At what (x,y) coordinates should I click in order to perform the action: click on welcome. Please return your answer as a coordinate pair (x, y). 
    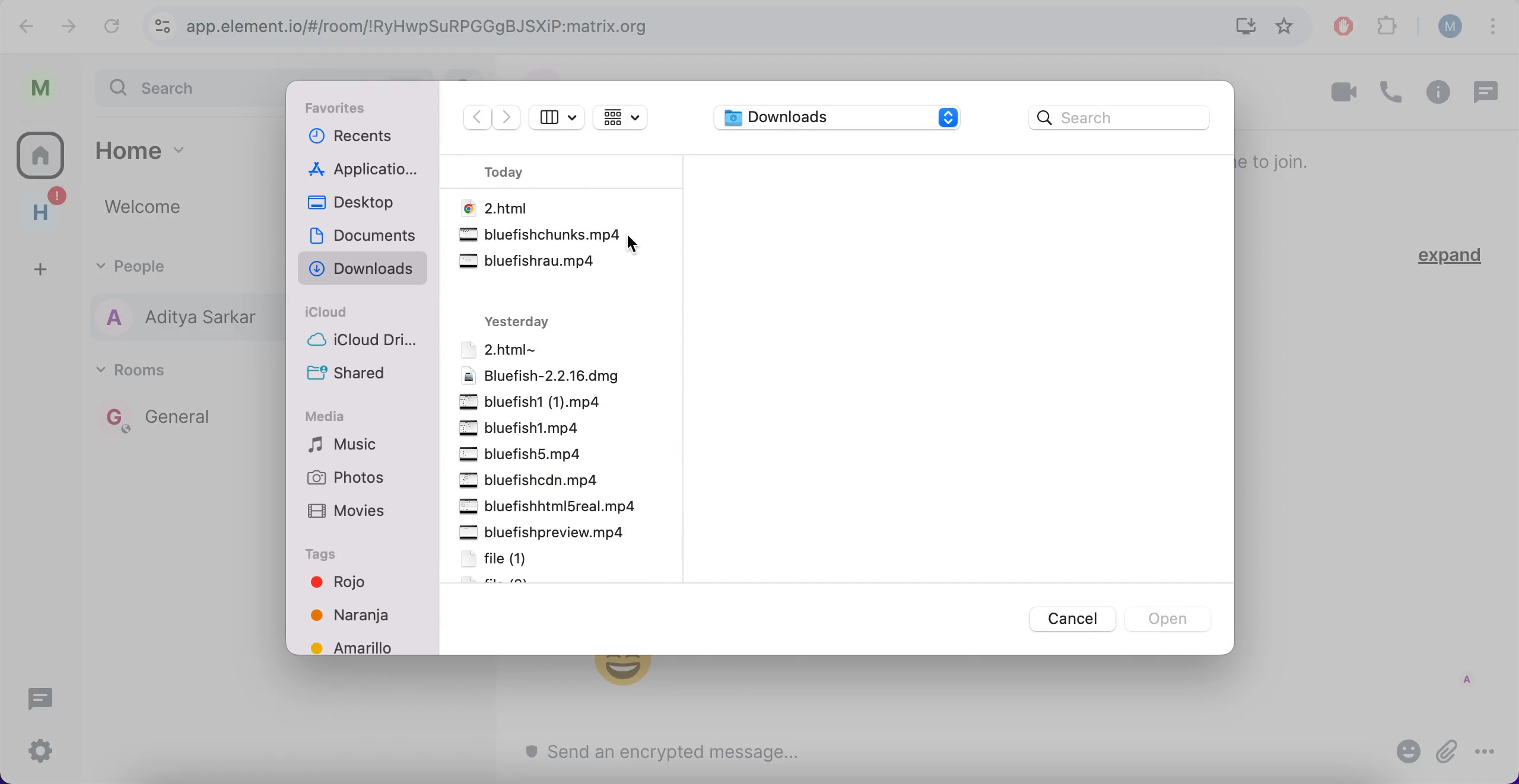
    Looking at the image, I should click on (154, 206).